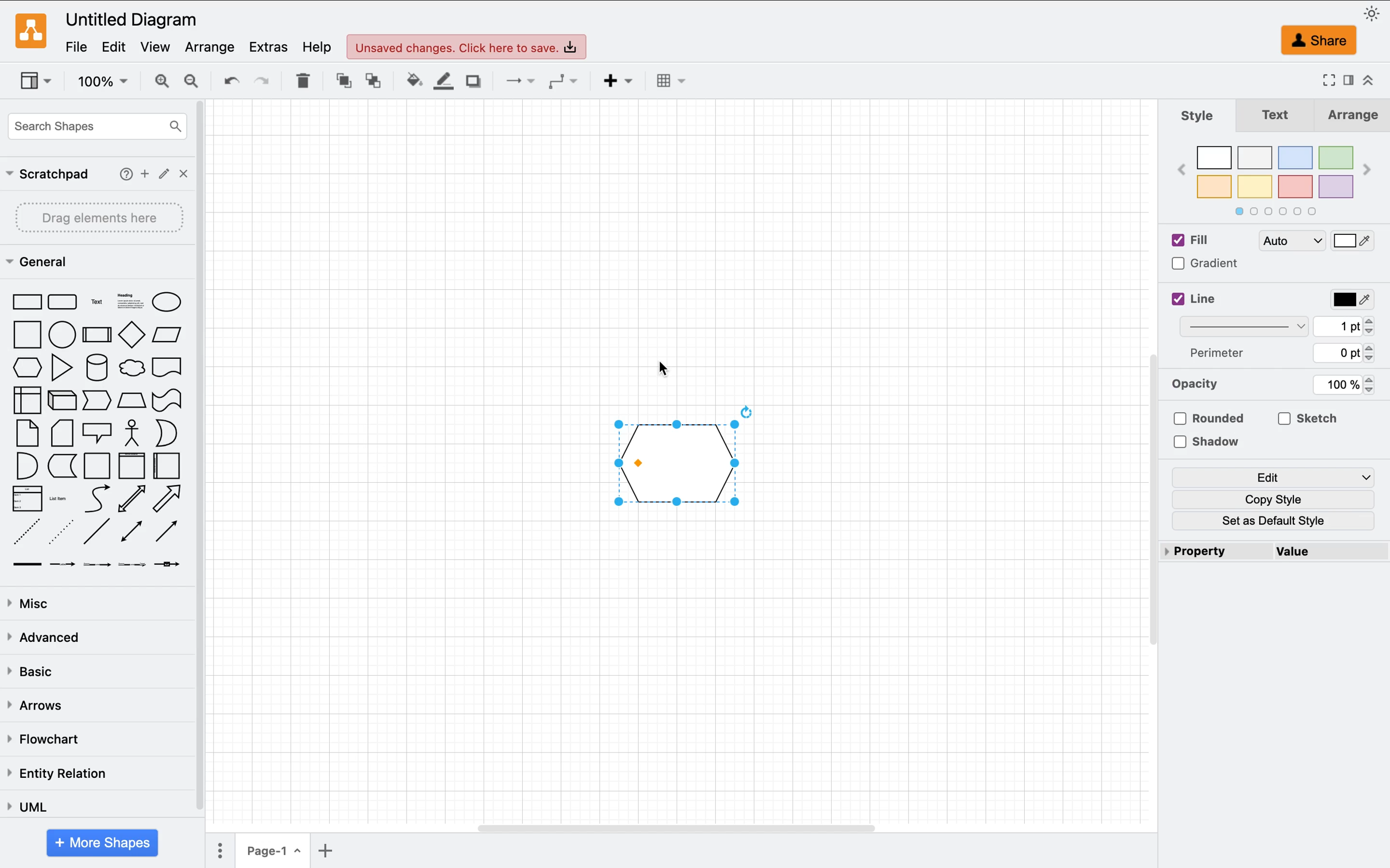  I want to click on general, so click(45, 260).